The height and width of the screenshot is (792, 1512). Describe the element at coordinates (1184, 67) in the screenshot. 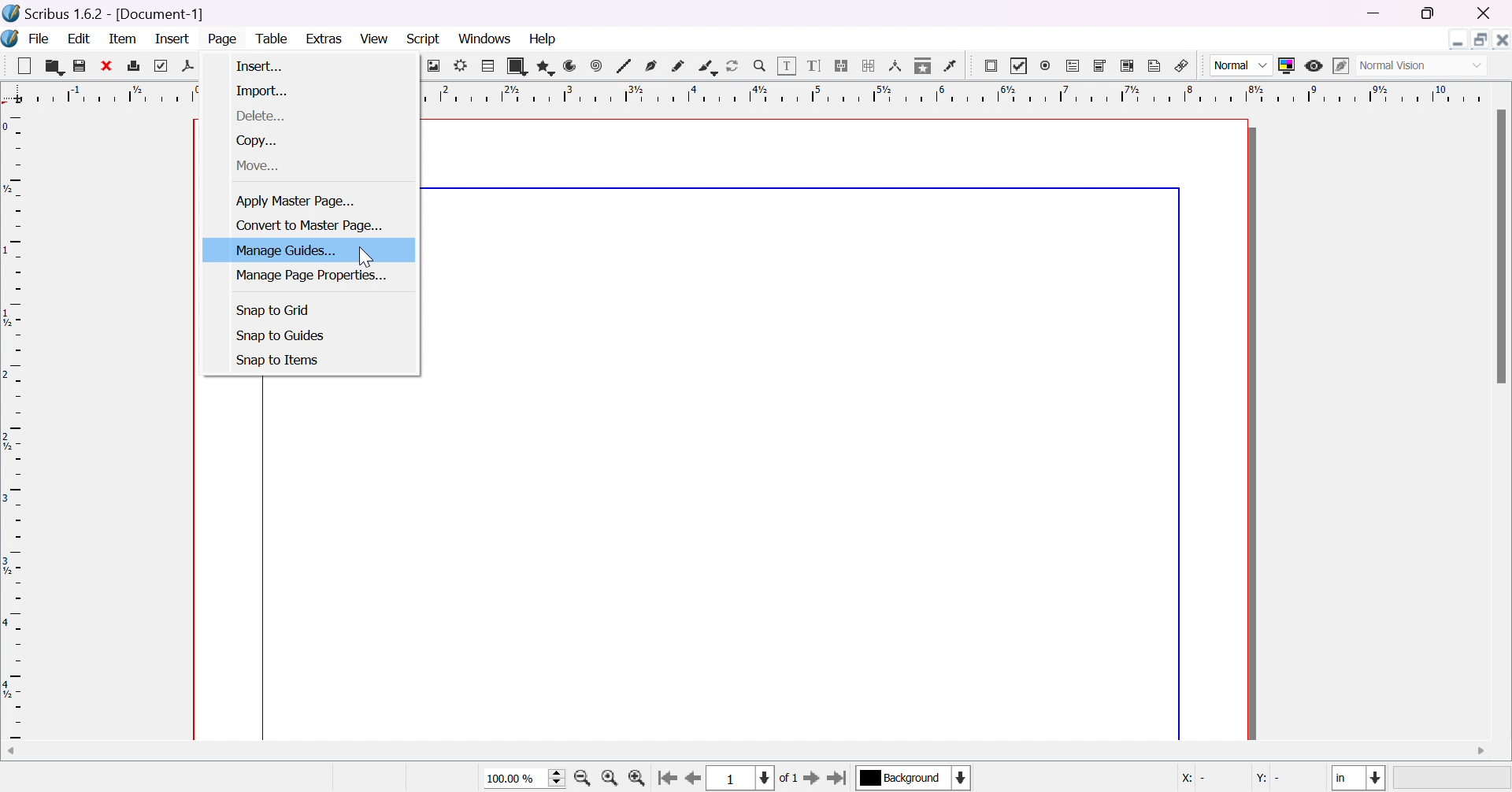

I see `link annotation` at that location.